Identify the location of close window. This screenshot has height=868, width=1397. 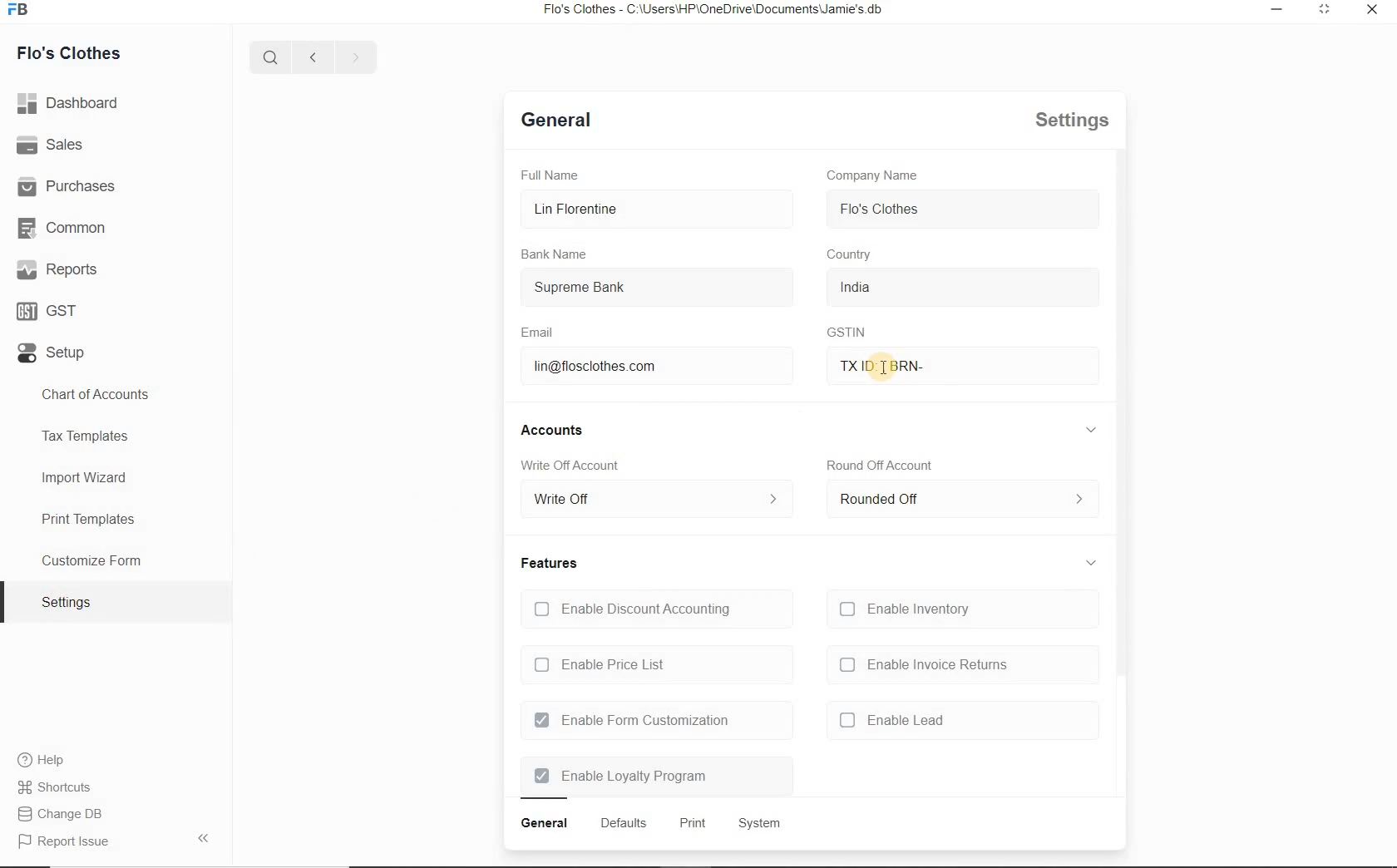
(1370, 10).